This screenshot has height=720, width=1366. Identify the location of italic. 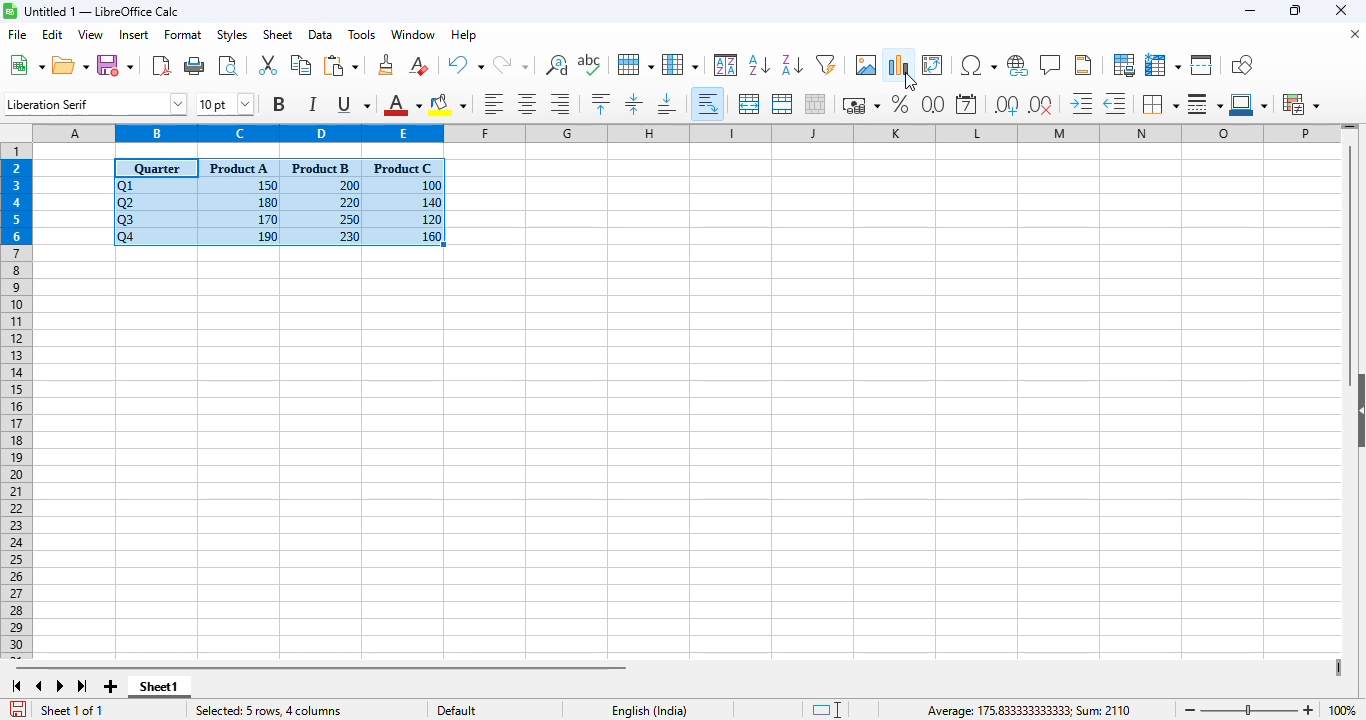
(312, 104).